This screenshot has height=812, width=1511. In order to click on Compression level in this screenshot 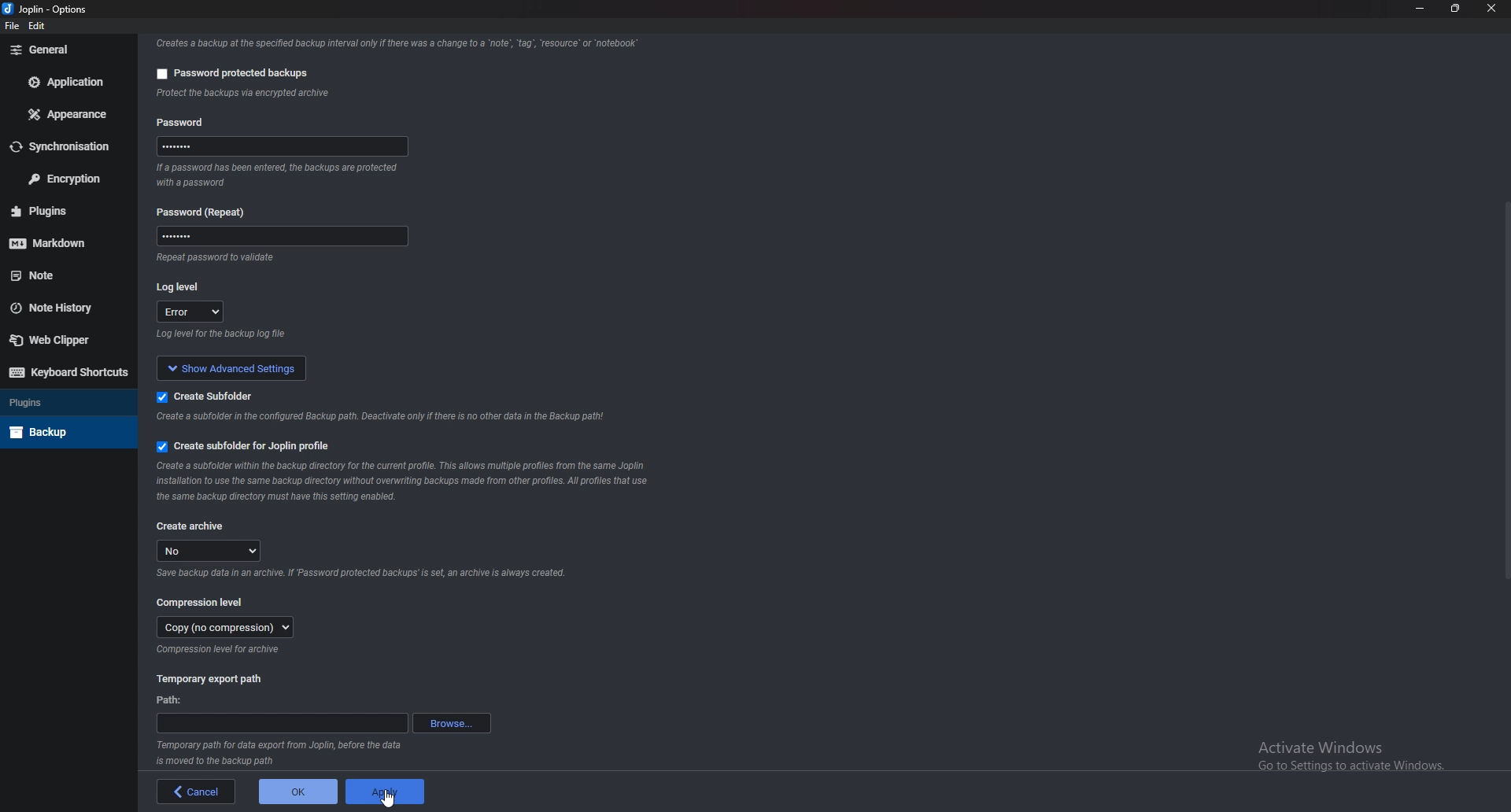, I will do `click(202, 602)`.